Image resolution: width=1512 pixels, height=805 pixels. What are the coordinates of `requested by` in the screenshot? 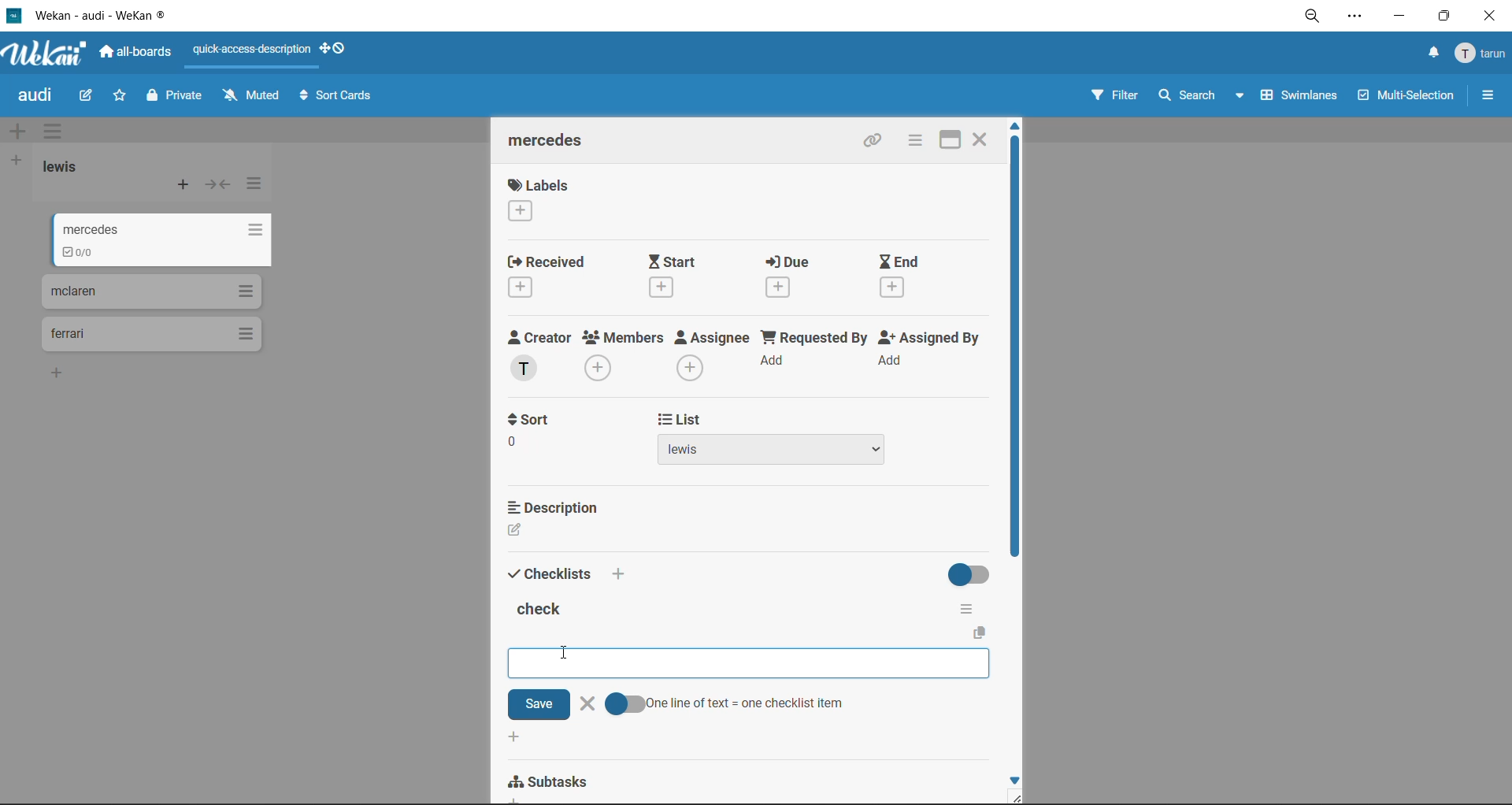 It's located at (816, 354).